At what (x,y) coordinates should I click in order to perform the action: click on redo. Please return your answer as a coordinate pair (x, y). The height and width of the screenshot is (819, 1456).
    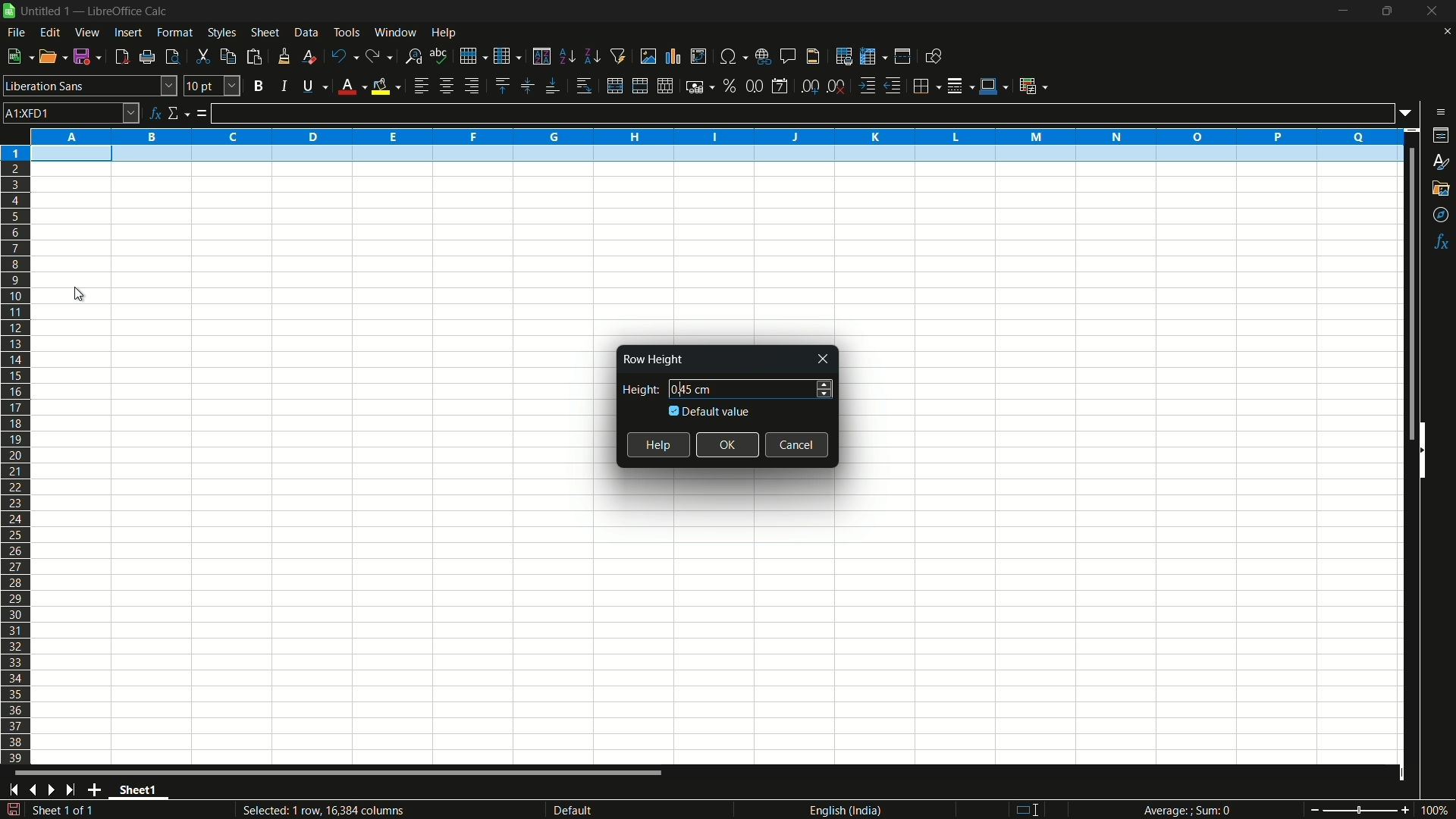
    Looking at the image, I should click on (380, 57).